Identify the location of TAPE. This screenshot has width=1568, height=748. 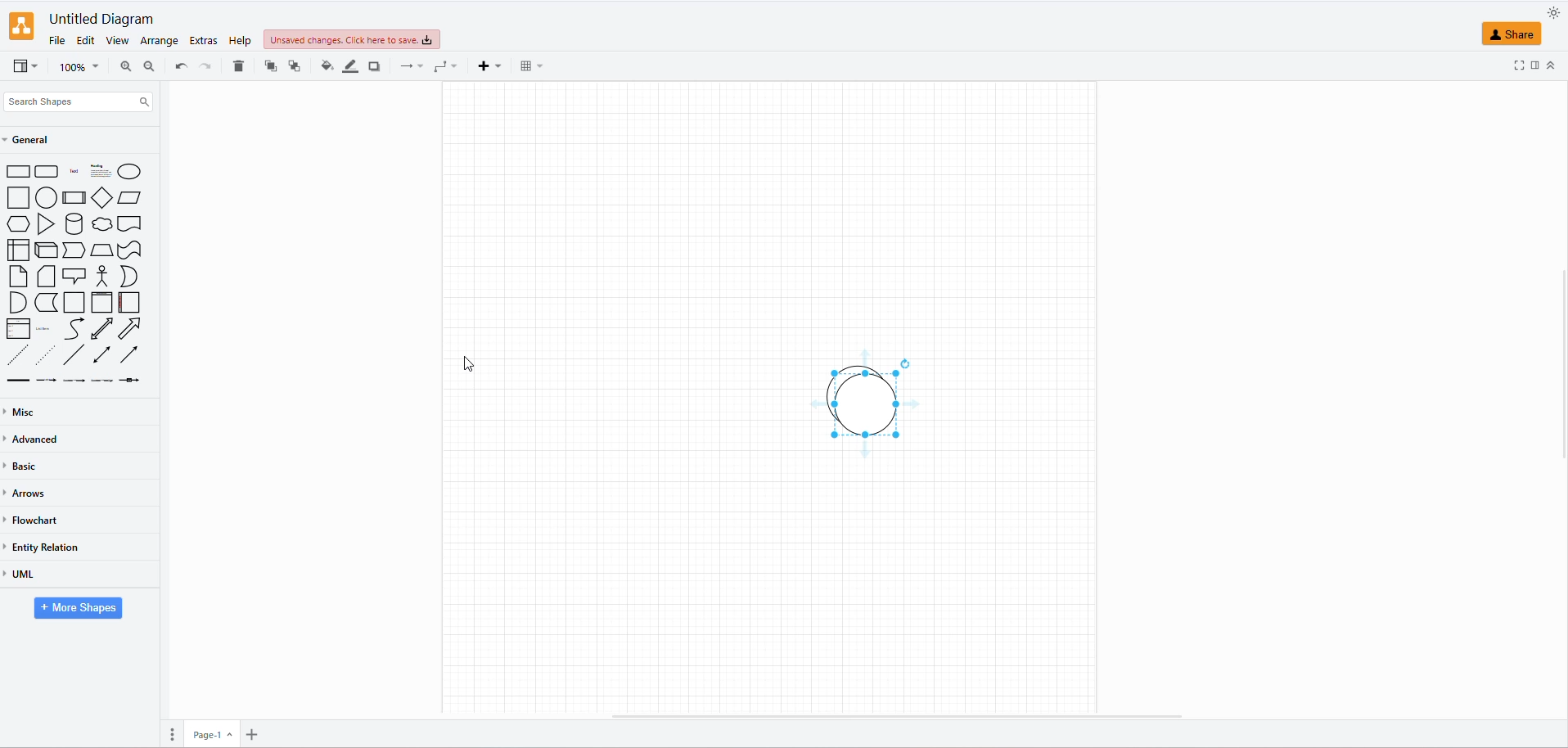
(131, 250).